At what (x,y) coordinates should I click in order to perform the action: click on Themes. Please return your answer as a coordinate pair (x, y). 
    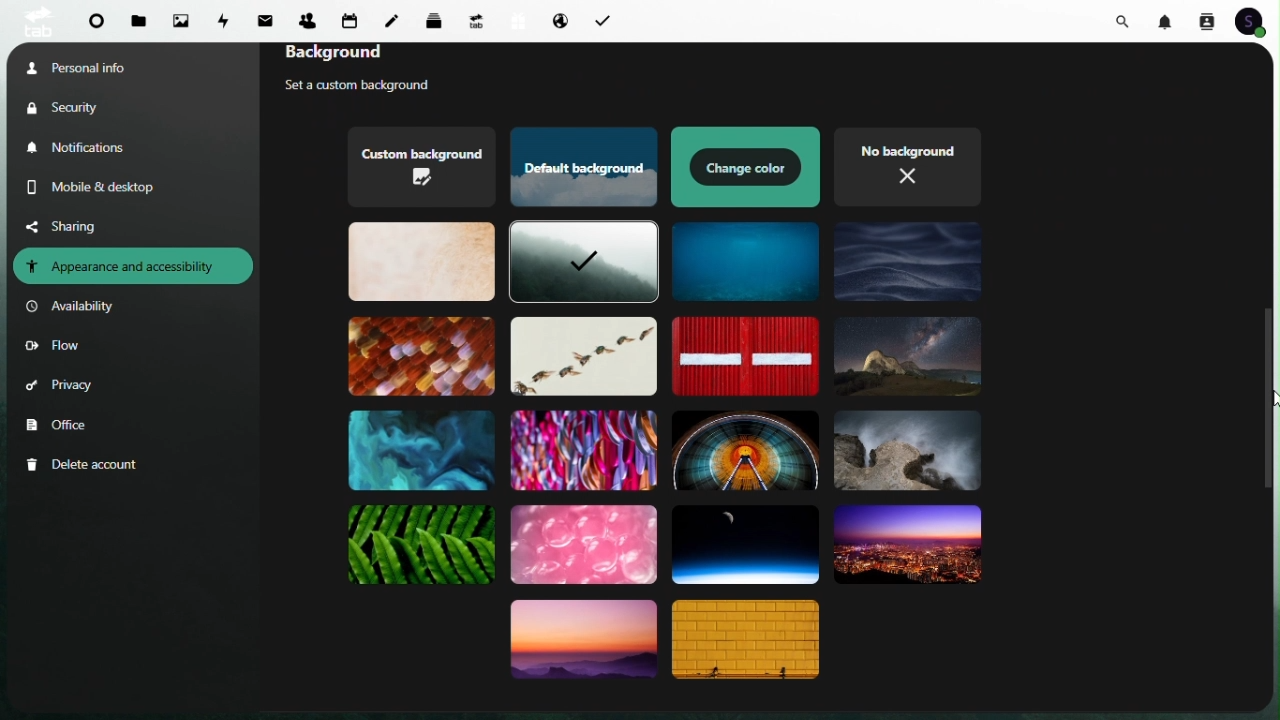
    Looking at the image, I should click on (422, 449).